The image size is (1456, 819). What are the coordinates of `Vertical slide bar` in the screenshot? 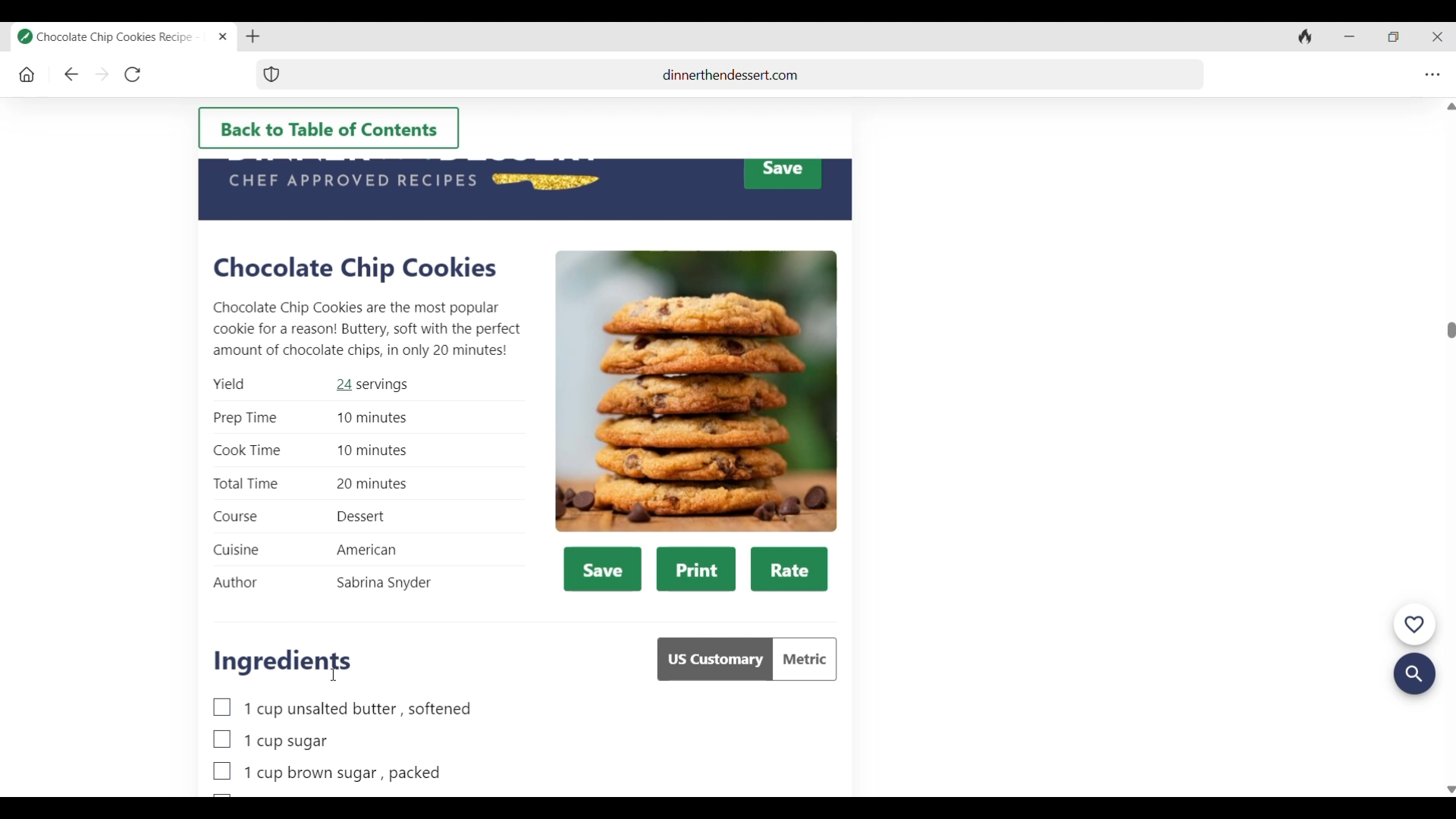 It's located at (1451, 447).